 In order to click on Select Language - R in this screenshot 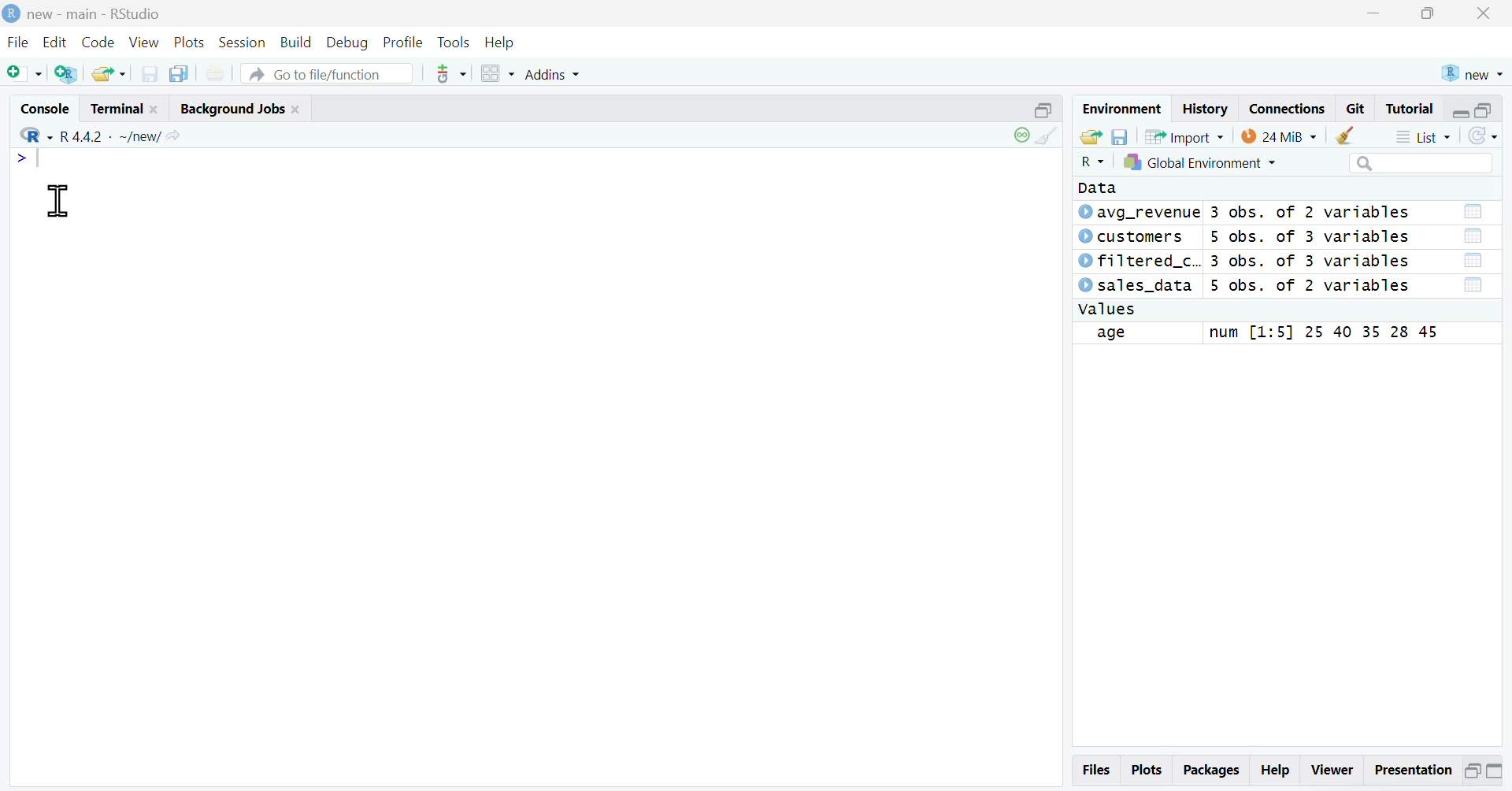, I will do `click(1091, 162)`.